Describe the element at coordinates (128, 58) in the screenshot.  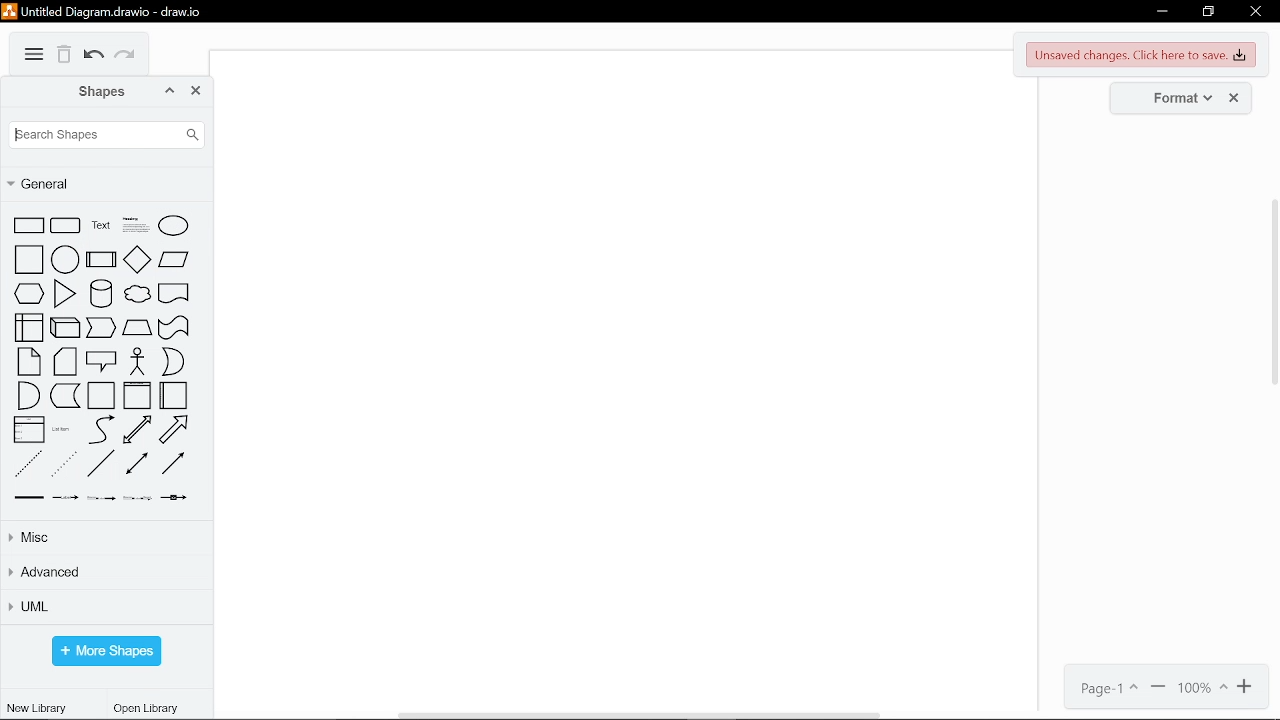
I see `redo` at that location.